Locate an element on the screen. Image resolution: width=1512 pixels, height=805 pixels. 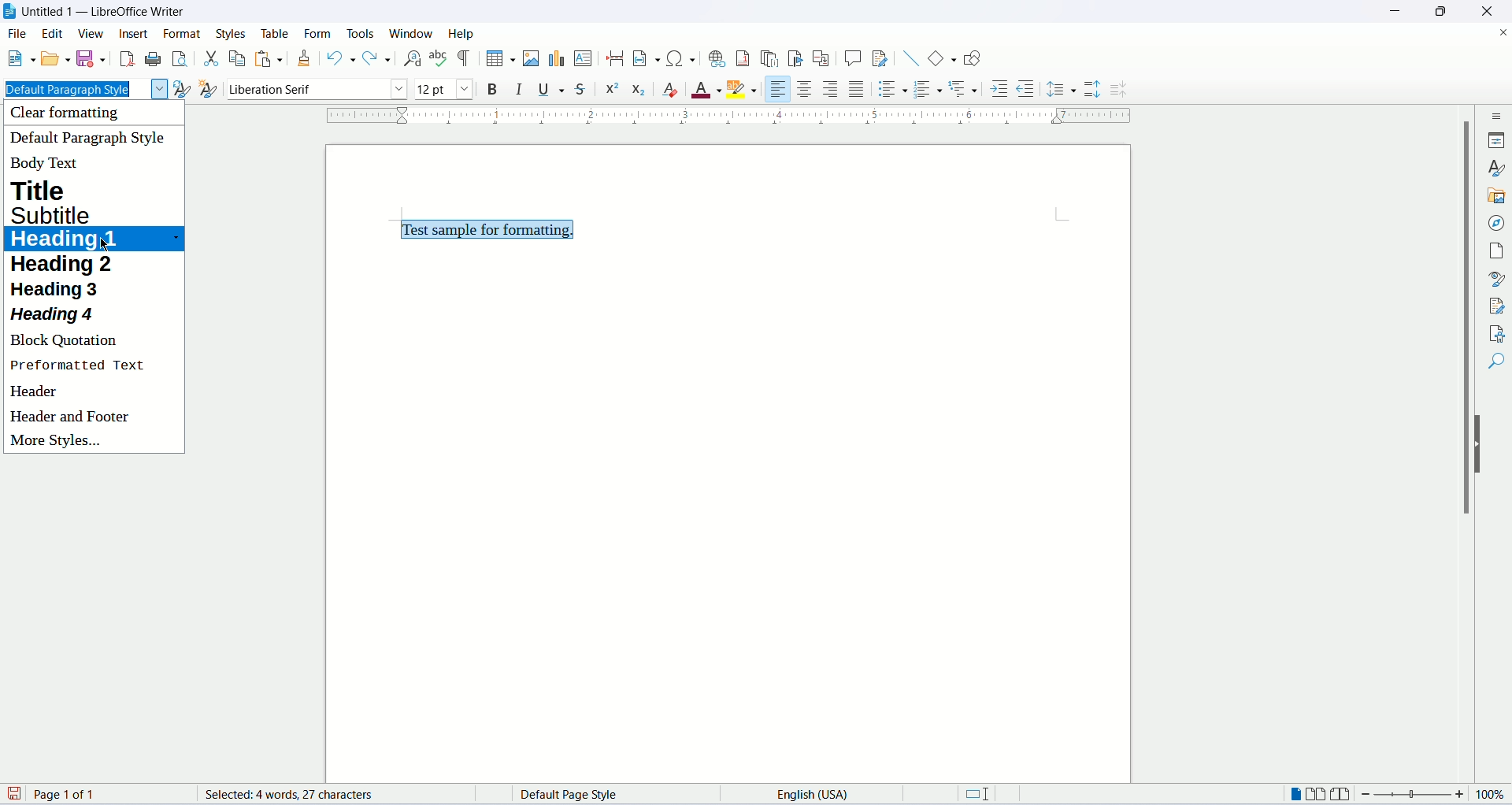
standard selection is located at coordinates (984, 796).